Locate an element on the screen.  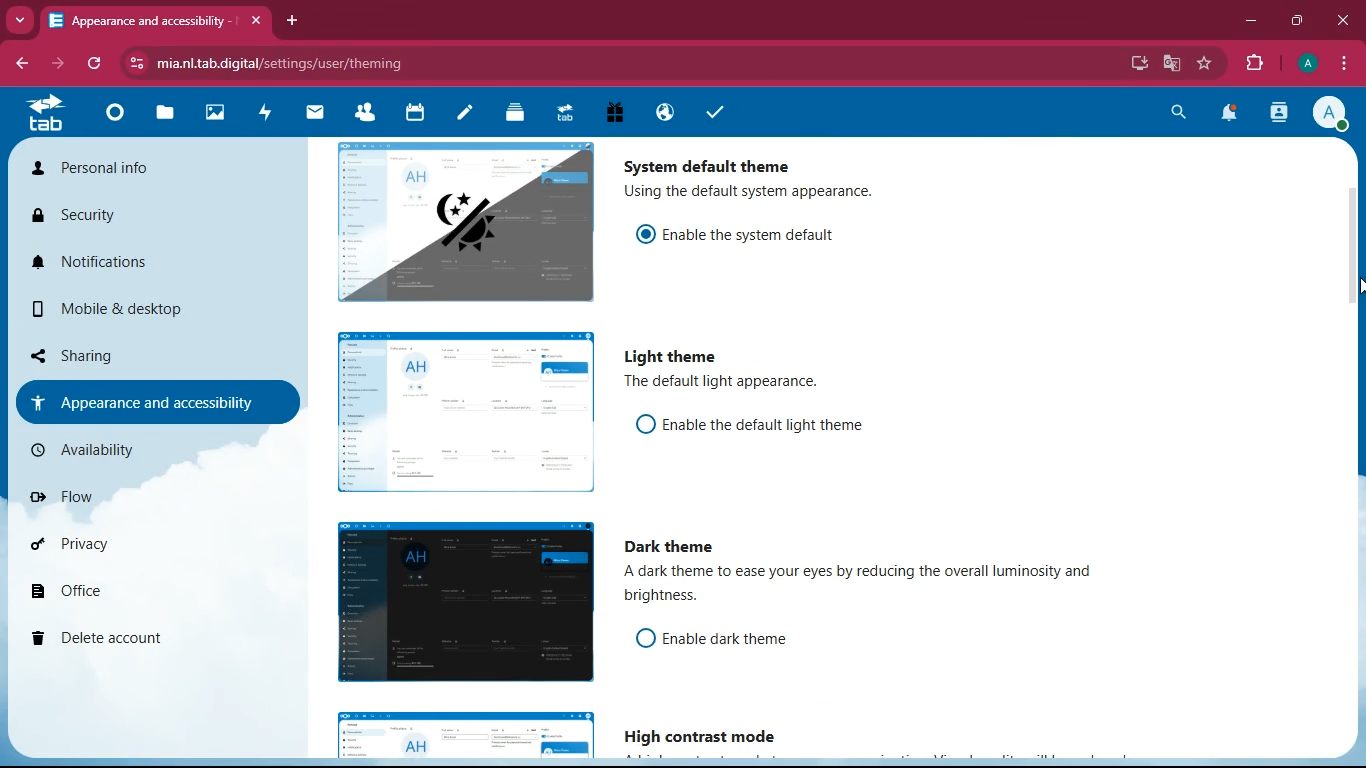
high contrast is located at coordinates (710, 737).